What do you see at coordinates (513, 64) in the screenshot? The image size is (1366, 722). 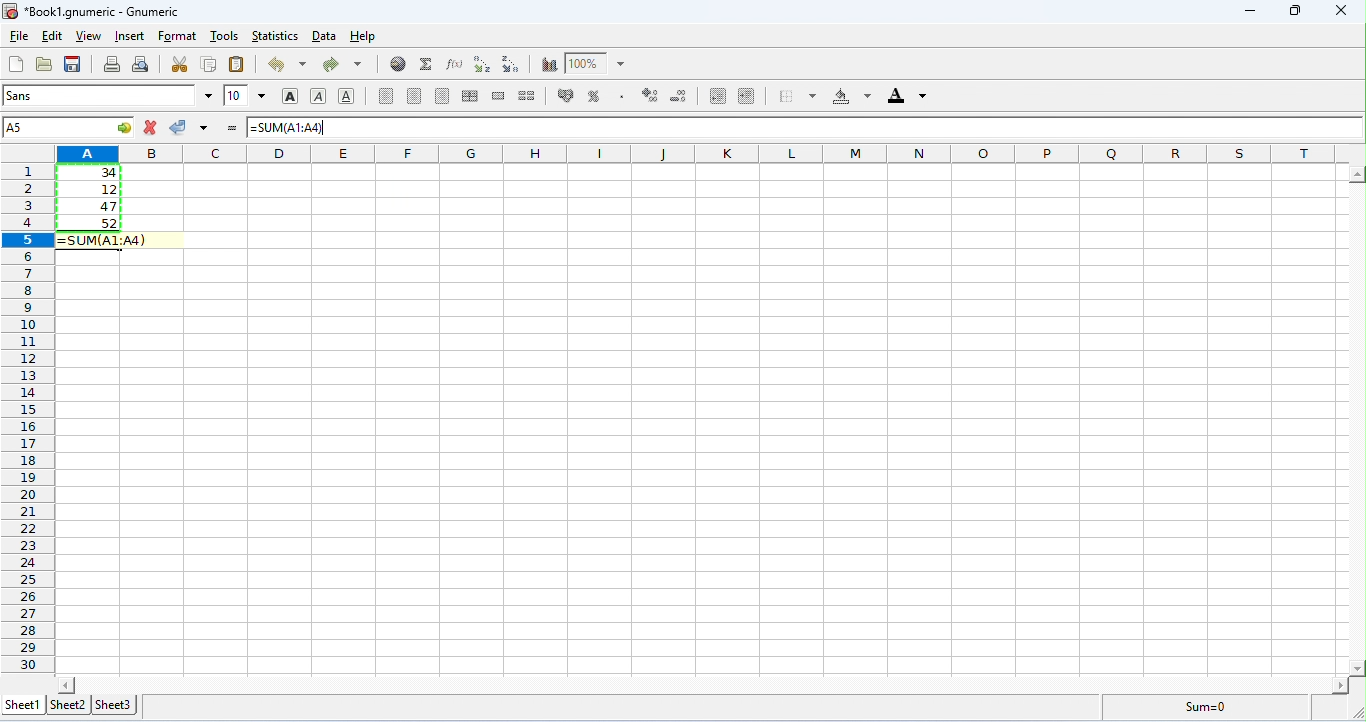 I see `sort descending` at bounding box center [513, 64].